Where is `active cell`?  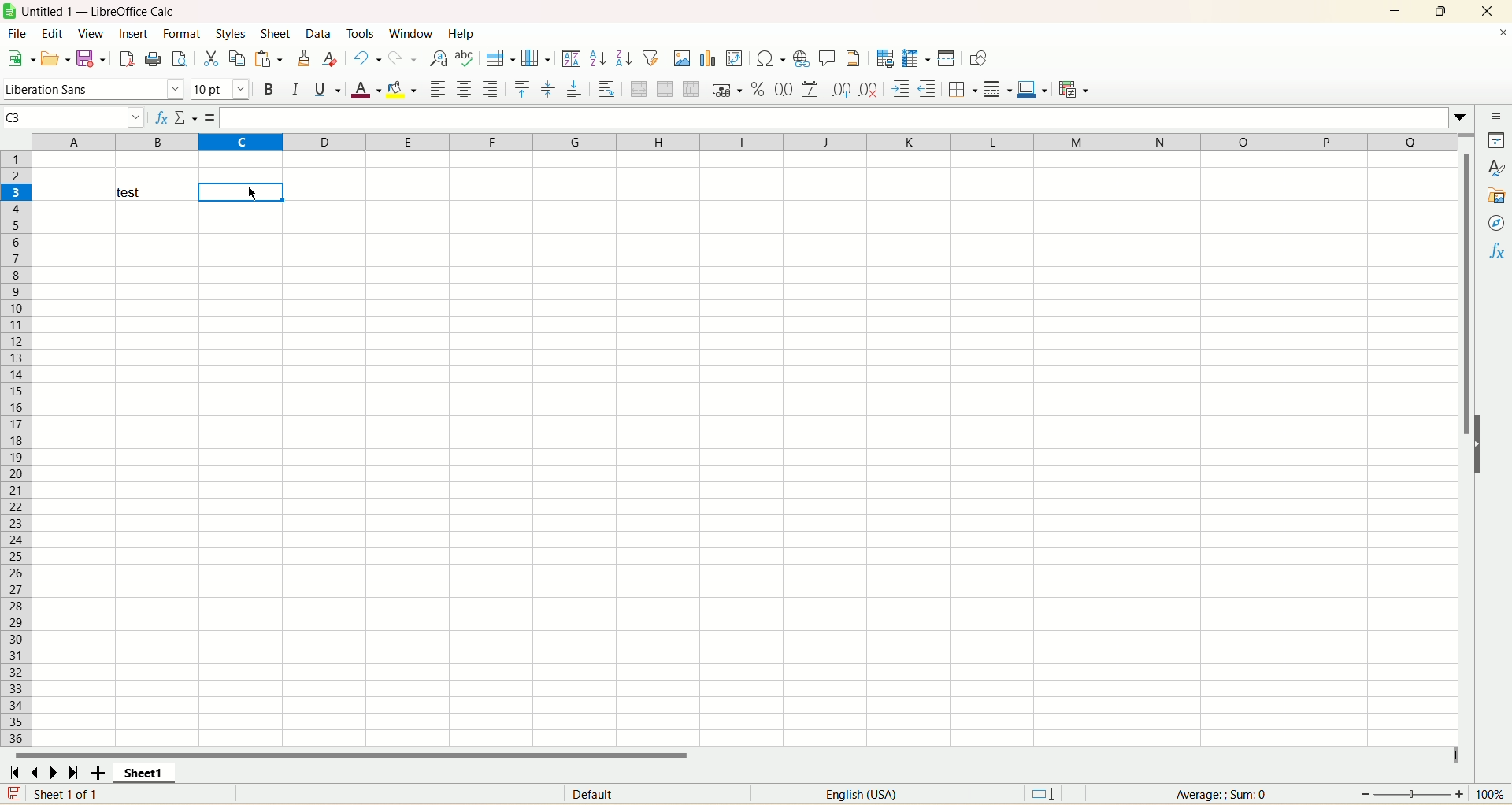
active cell is located at coordinates (240, 192).